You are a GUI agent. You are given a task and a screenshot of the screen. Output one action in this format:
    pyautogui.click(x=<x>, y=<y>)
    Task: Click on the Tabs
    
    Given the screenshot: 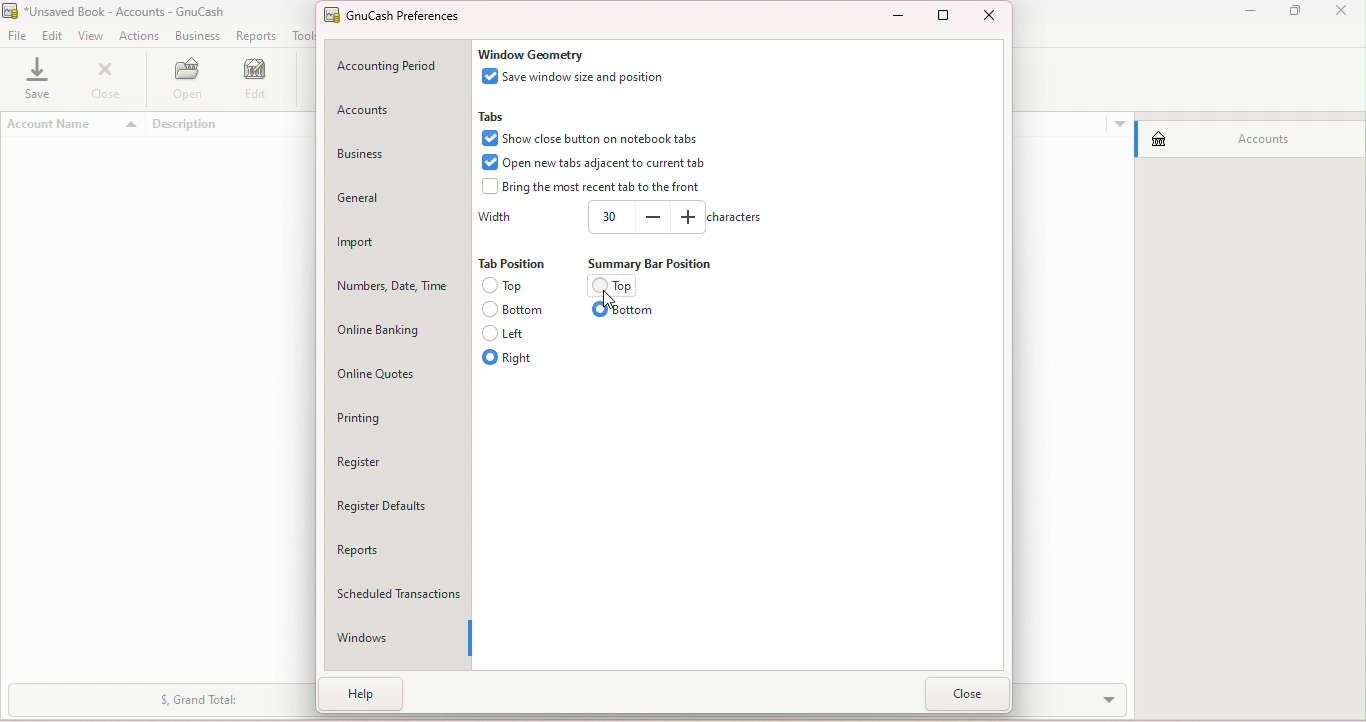 What is the action you would take?
    pyautogui.click(x=492, y=115)
    